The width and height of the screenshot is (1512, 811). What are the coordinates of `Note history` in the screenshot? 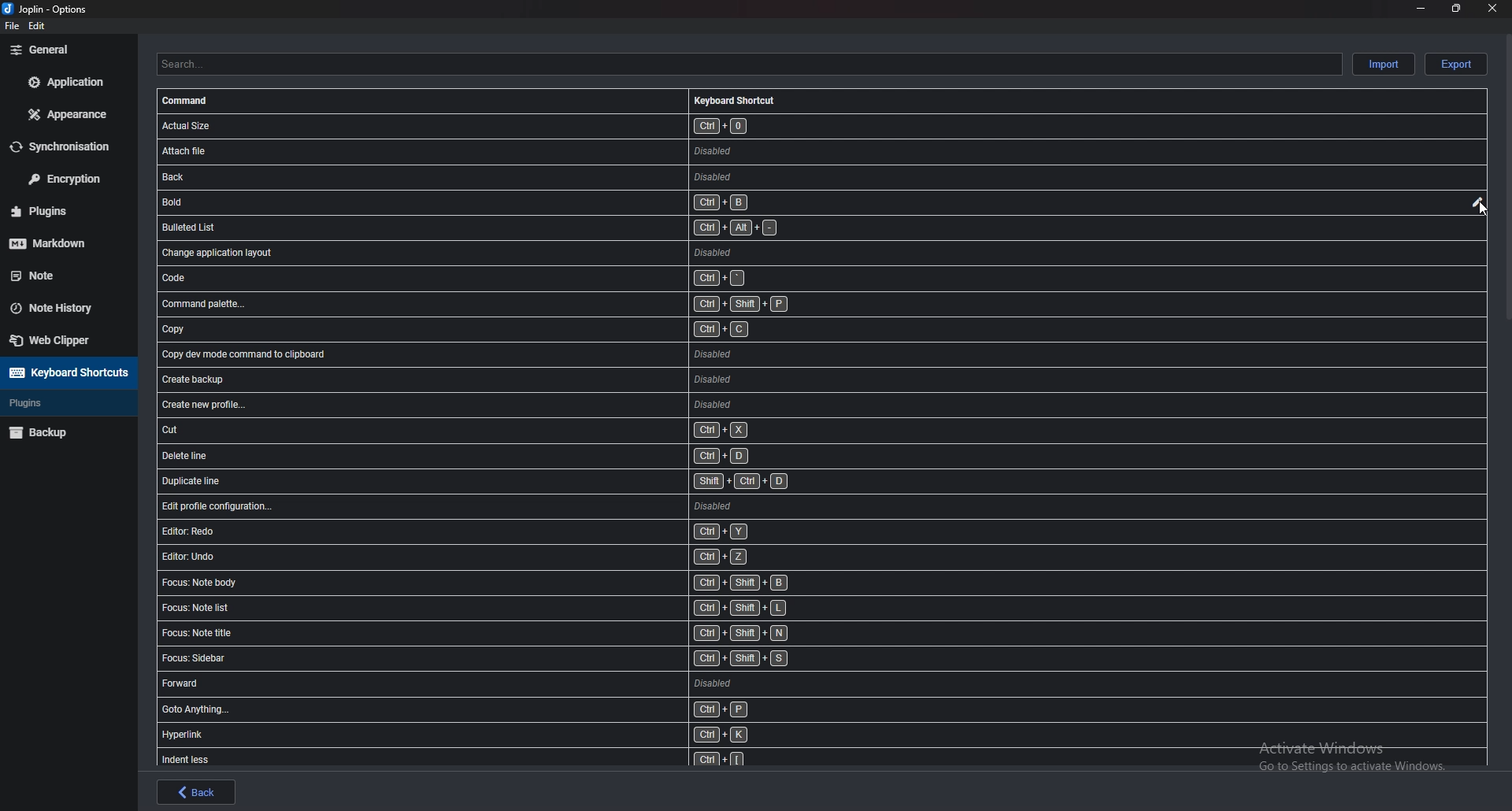 It's located at (65, 308).